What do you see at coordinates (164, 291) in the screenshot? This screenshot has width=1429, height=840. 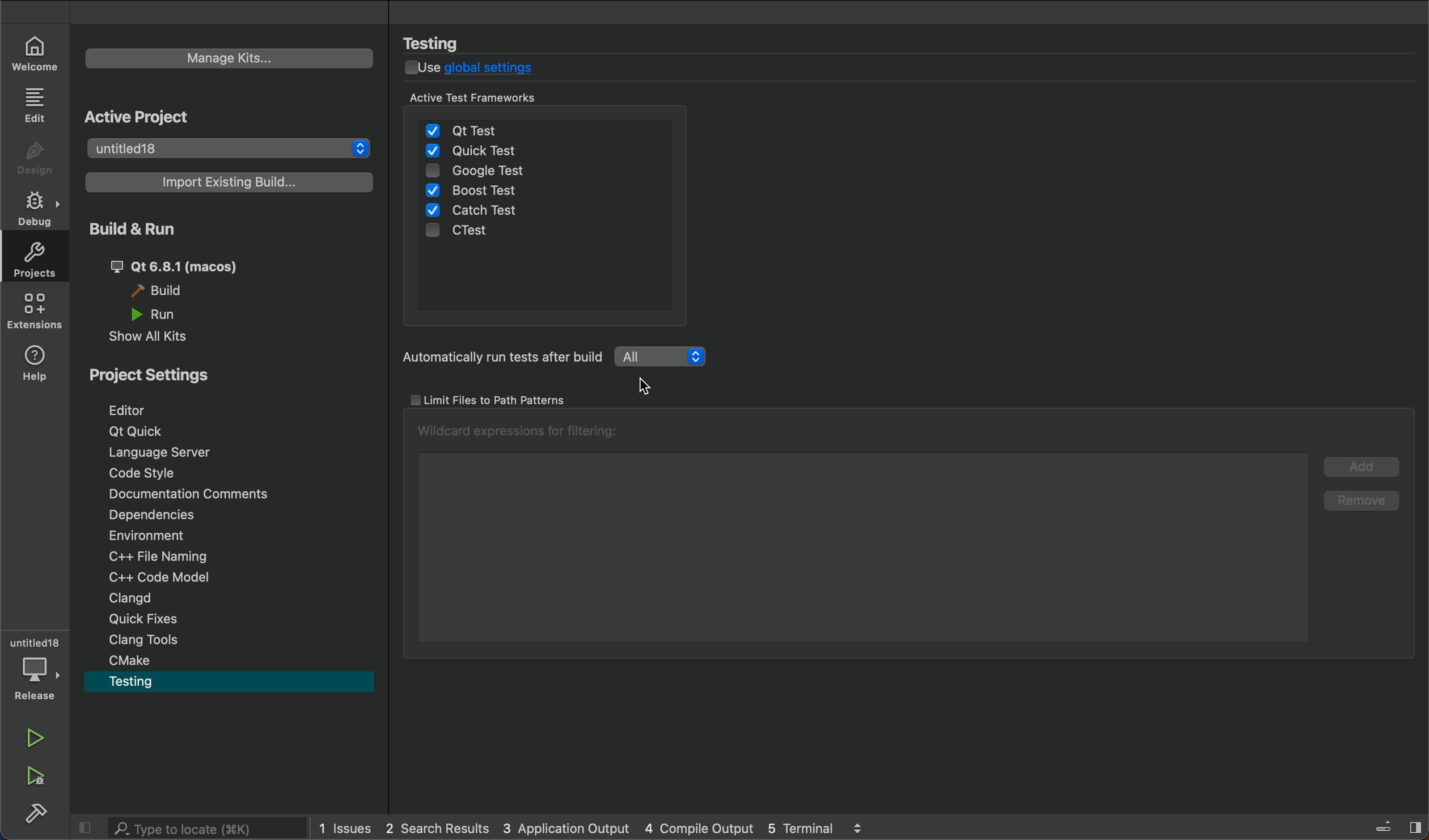 I see `build` at bounding box center [164, 291].